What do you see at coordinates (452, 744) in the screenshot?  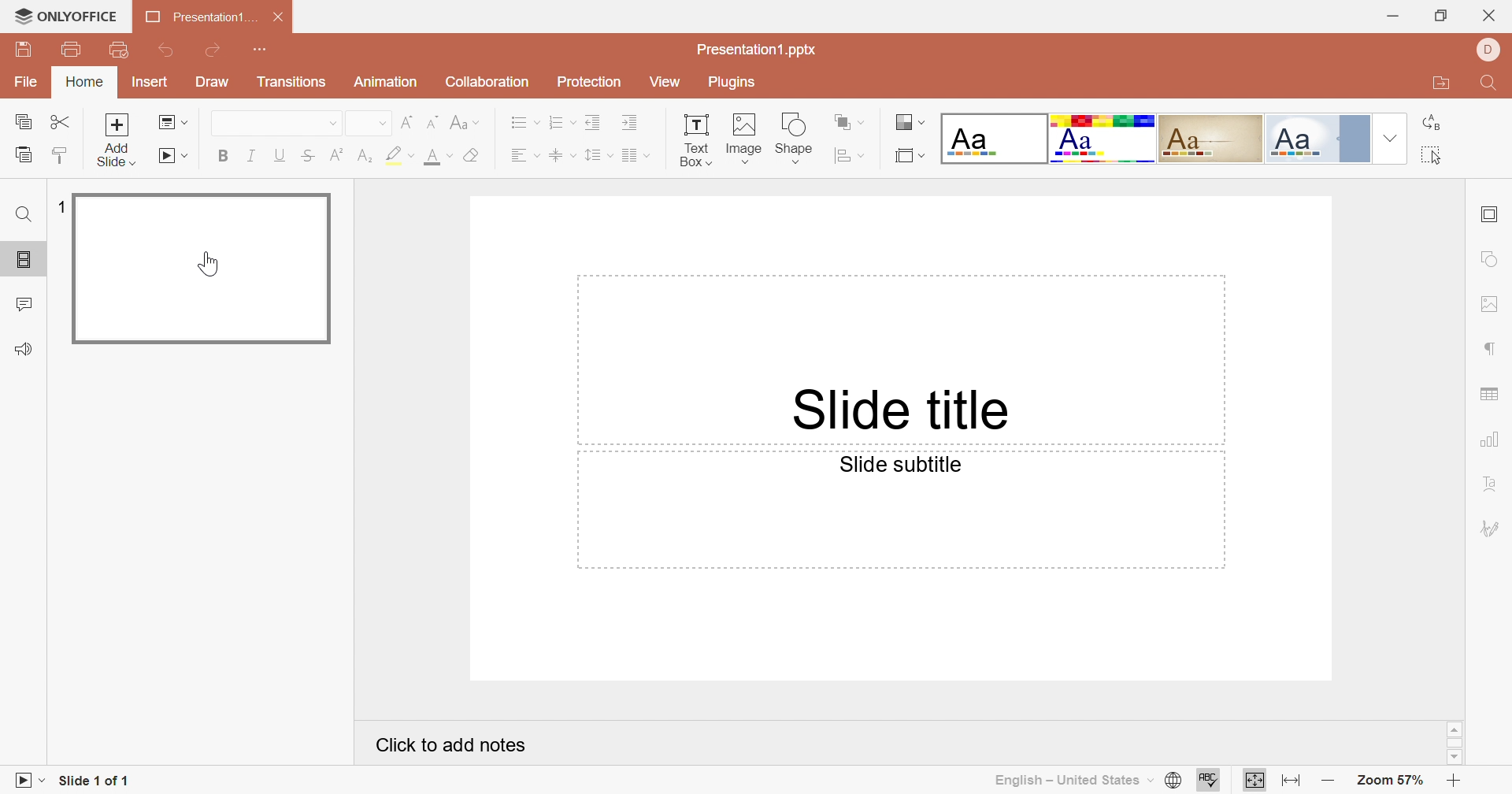 I see `Click to add notes` at bounding box center [452, 744].